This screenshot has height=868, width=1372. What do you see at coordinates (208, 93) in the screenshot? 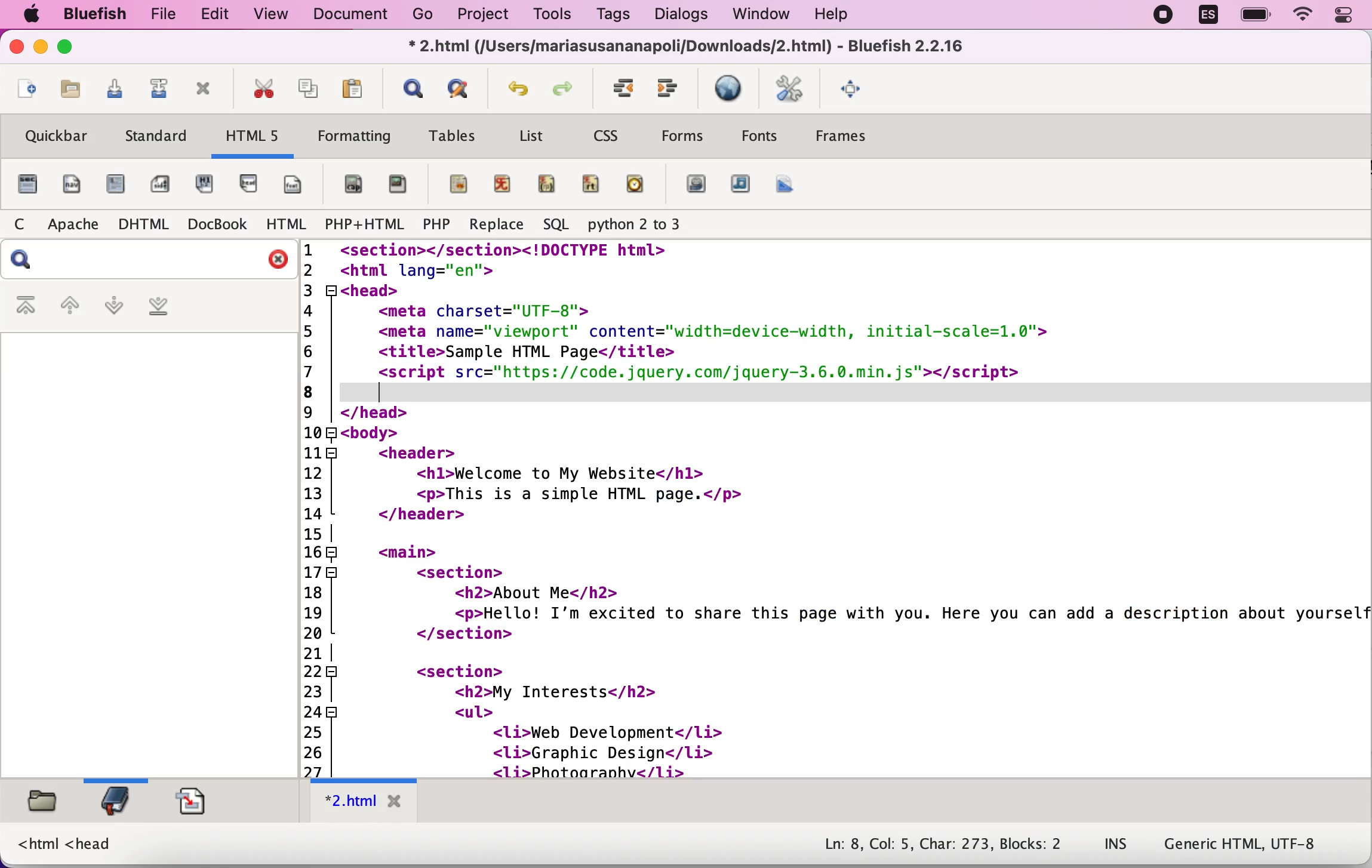
I see `close toolbar` at bounding box center [208, 93].